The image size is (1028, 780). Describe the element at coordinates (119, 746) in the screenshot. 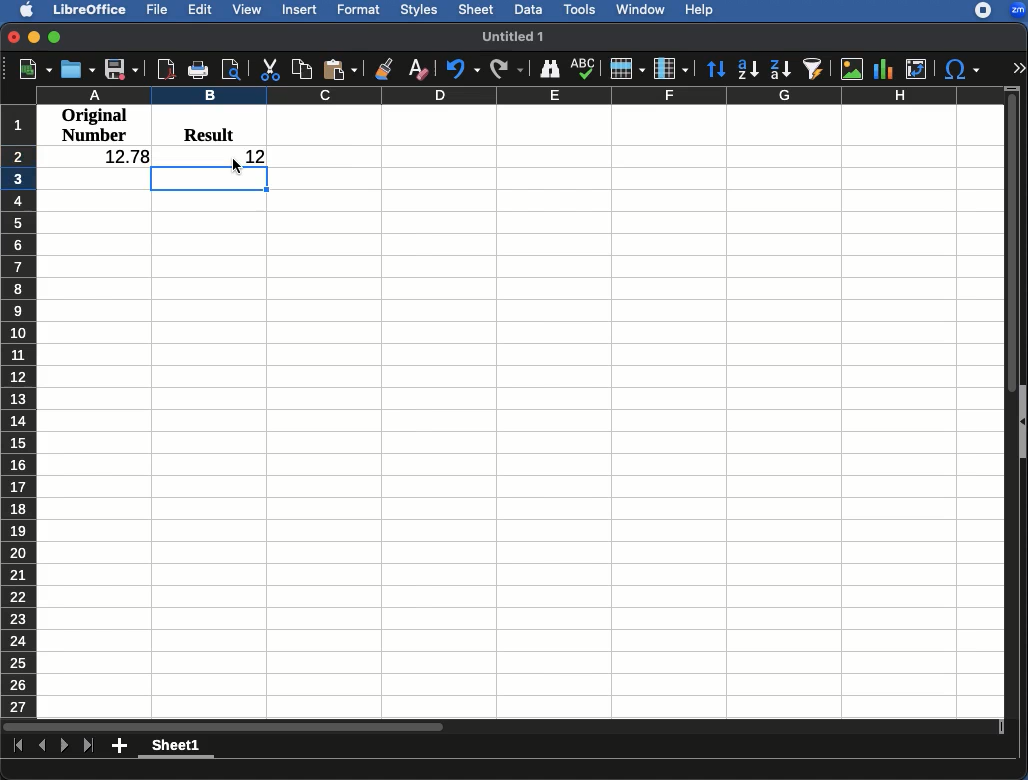

I see `Add sheet` at that location.